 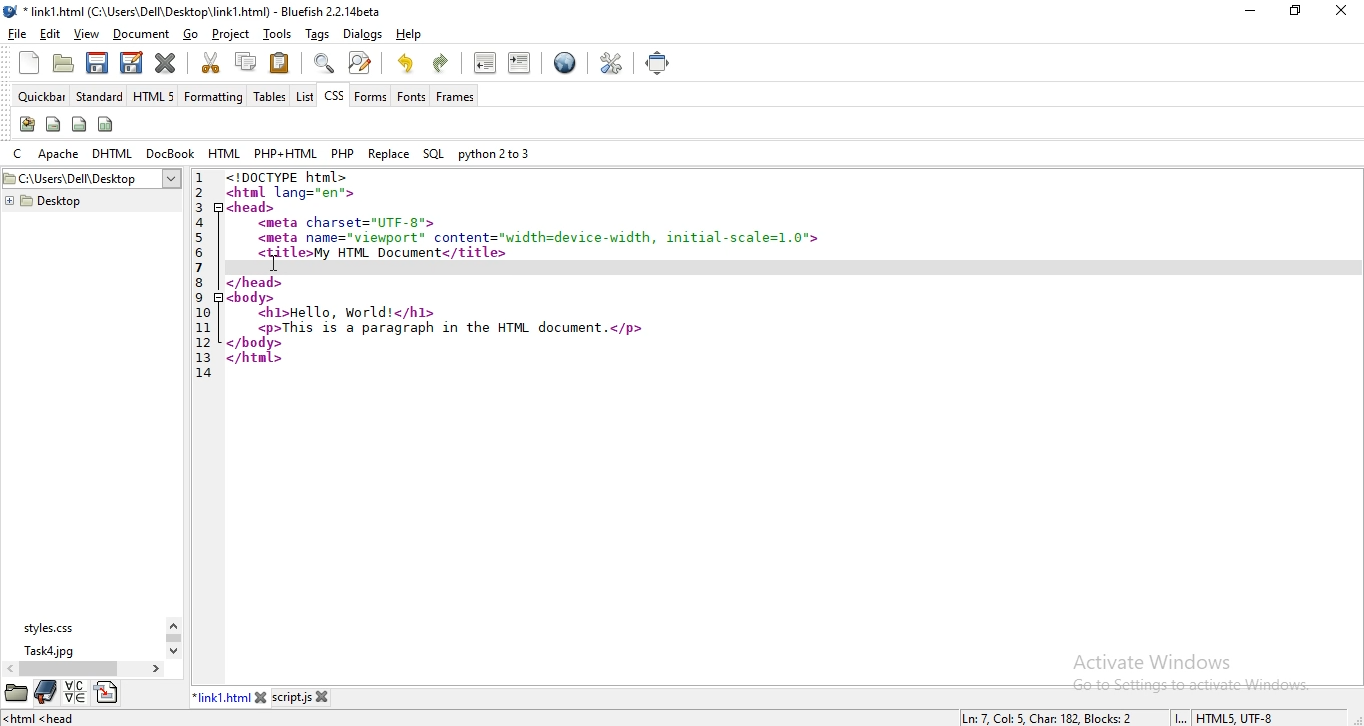 What do you see at coordinates (198, 178) in the screenshot?
I see `1` at bounding box center [198, 178].